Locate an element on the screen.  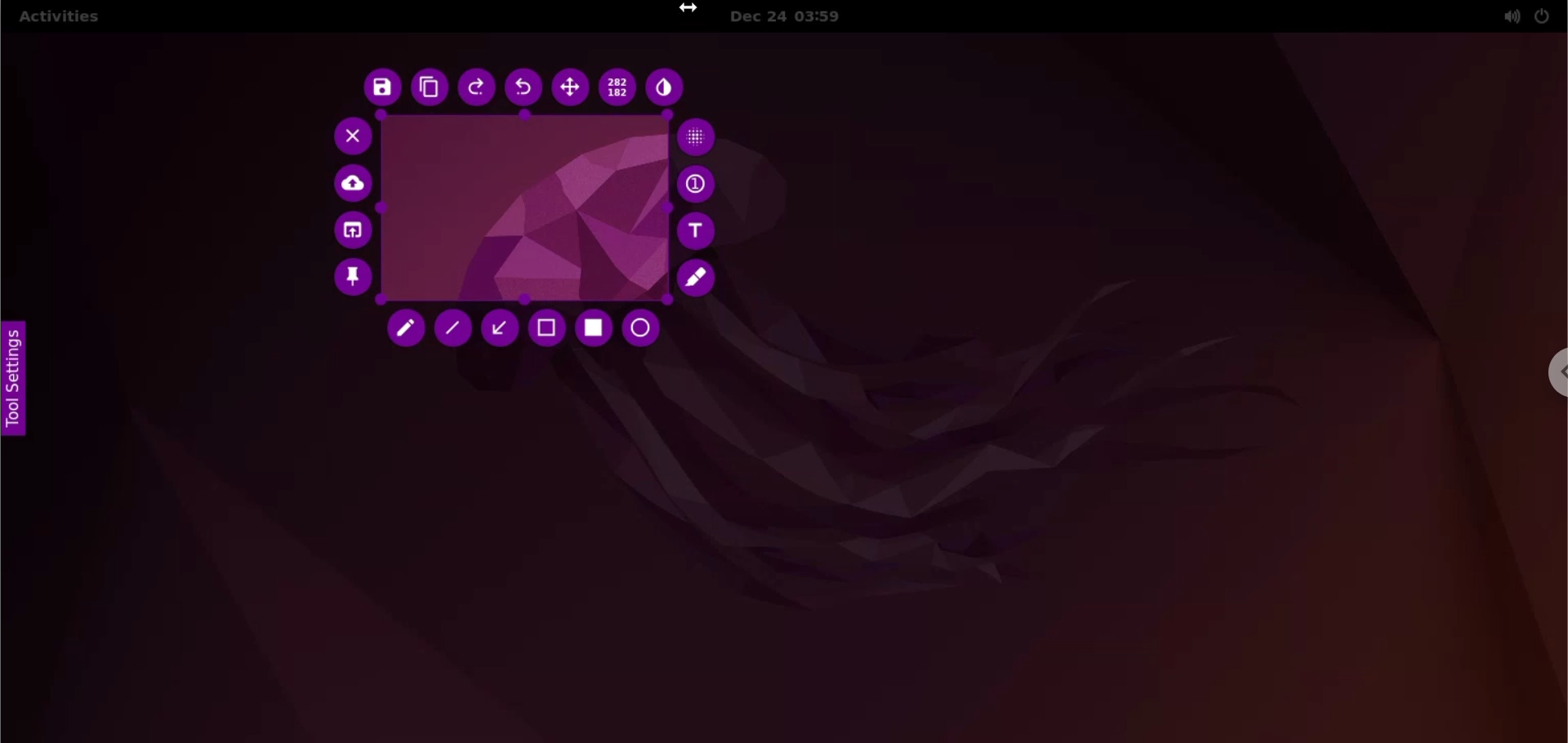
move selection is located at coordinates (568, 89).